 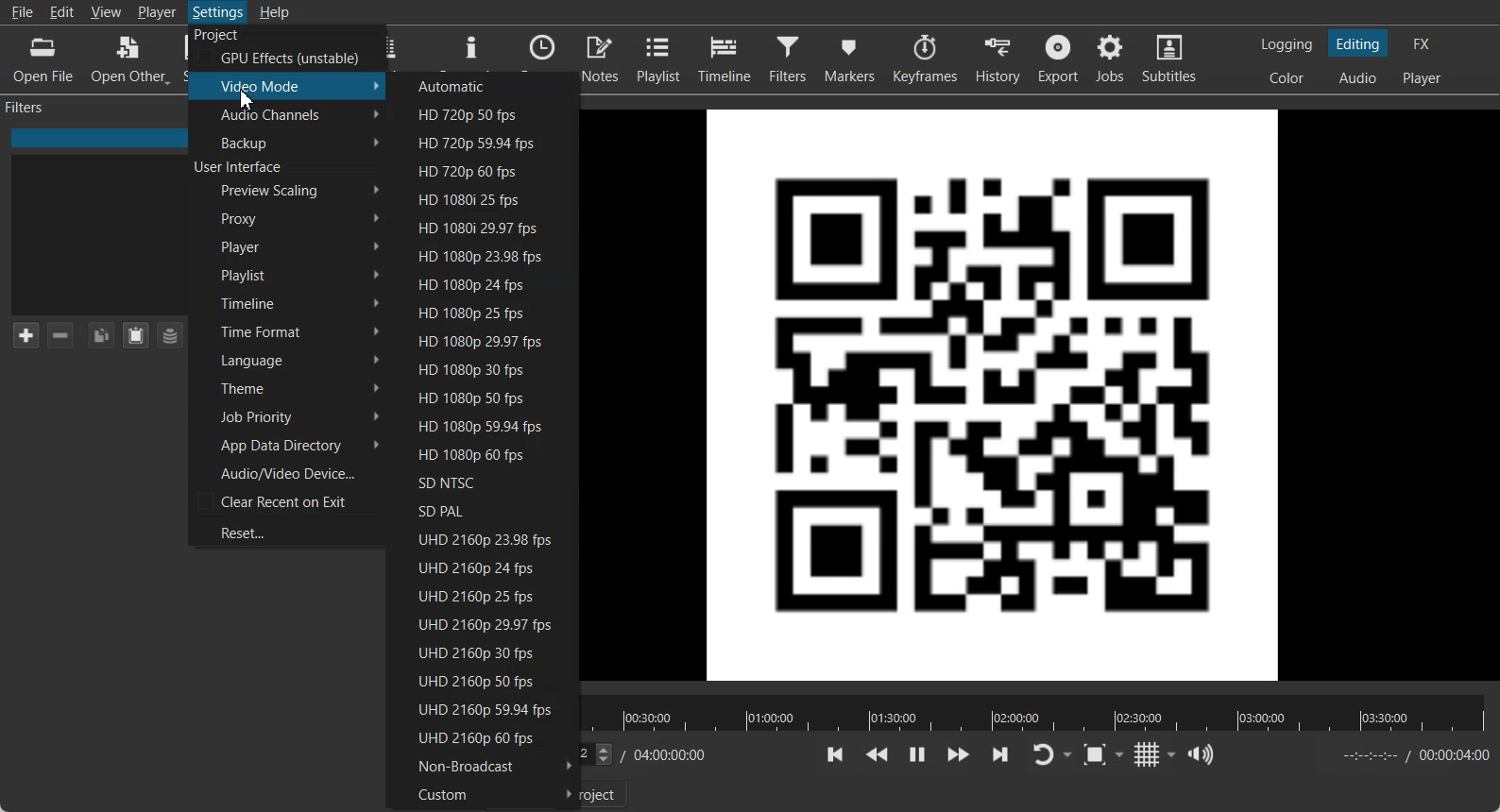 What do you see at coordinates (475, 595) in the screenshot?
I see `UHD 2160p 25 fps` at bounding box center [475, 595].